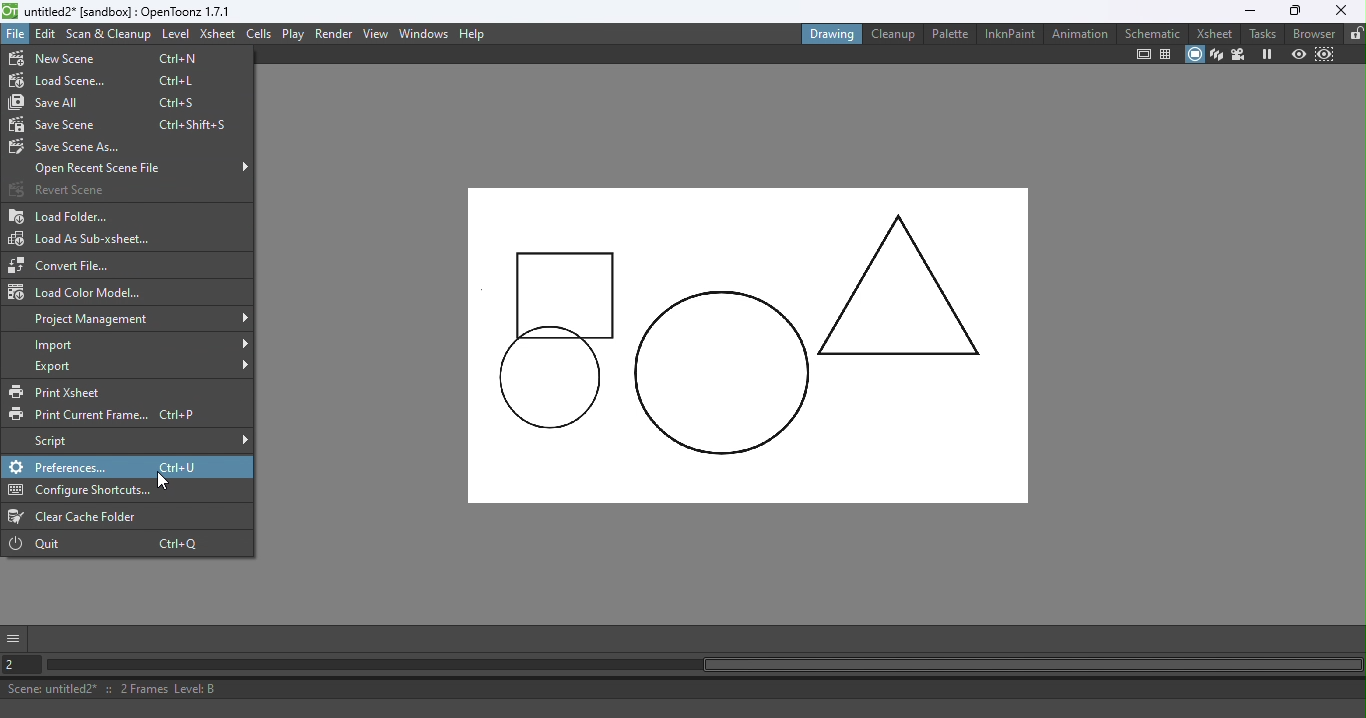  I want to click on Save all, so click(104, 101).